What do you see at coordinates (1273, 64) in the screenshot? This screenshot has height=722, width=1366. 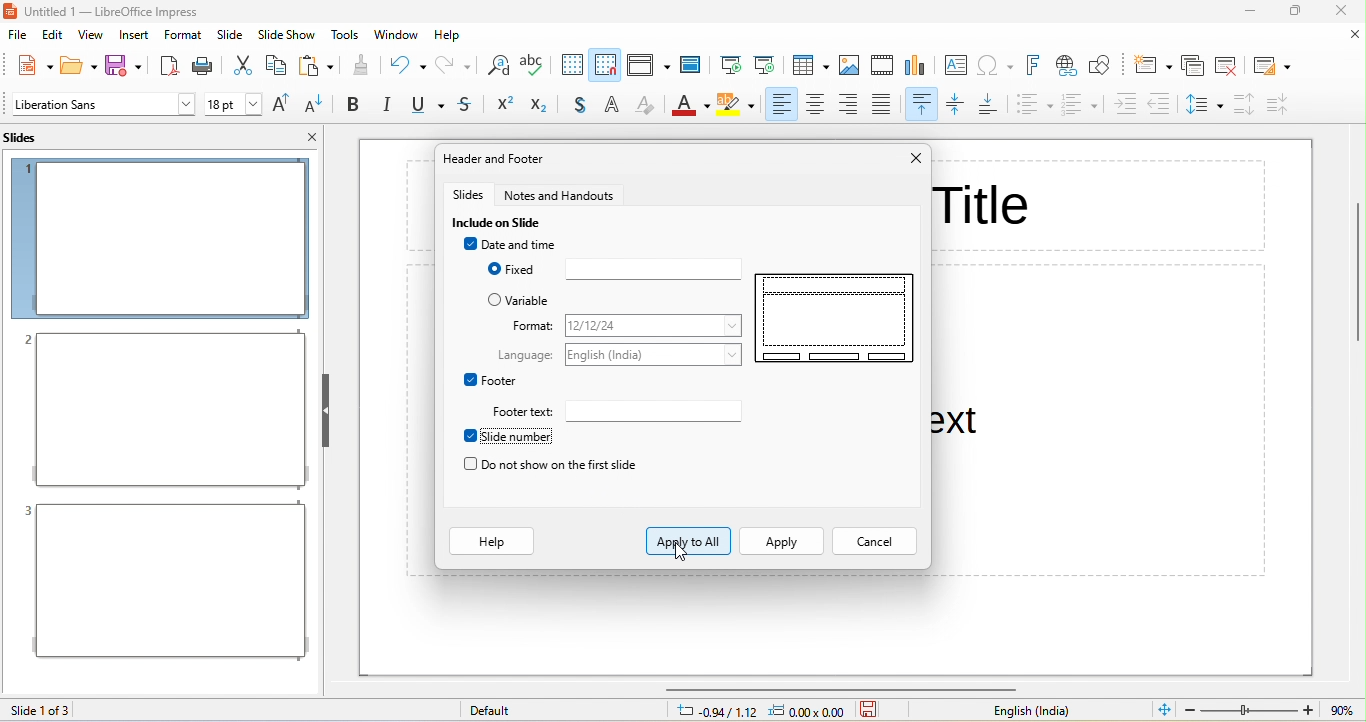 I see `slide layout` at bounding box center [1273, 64].